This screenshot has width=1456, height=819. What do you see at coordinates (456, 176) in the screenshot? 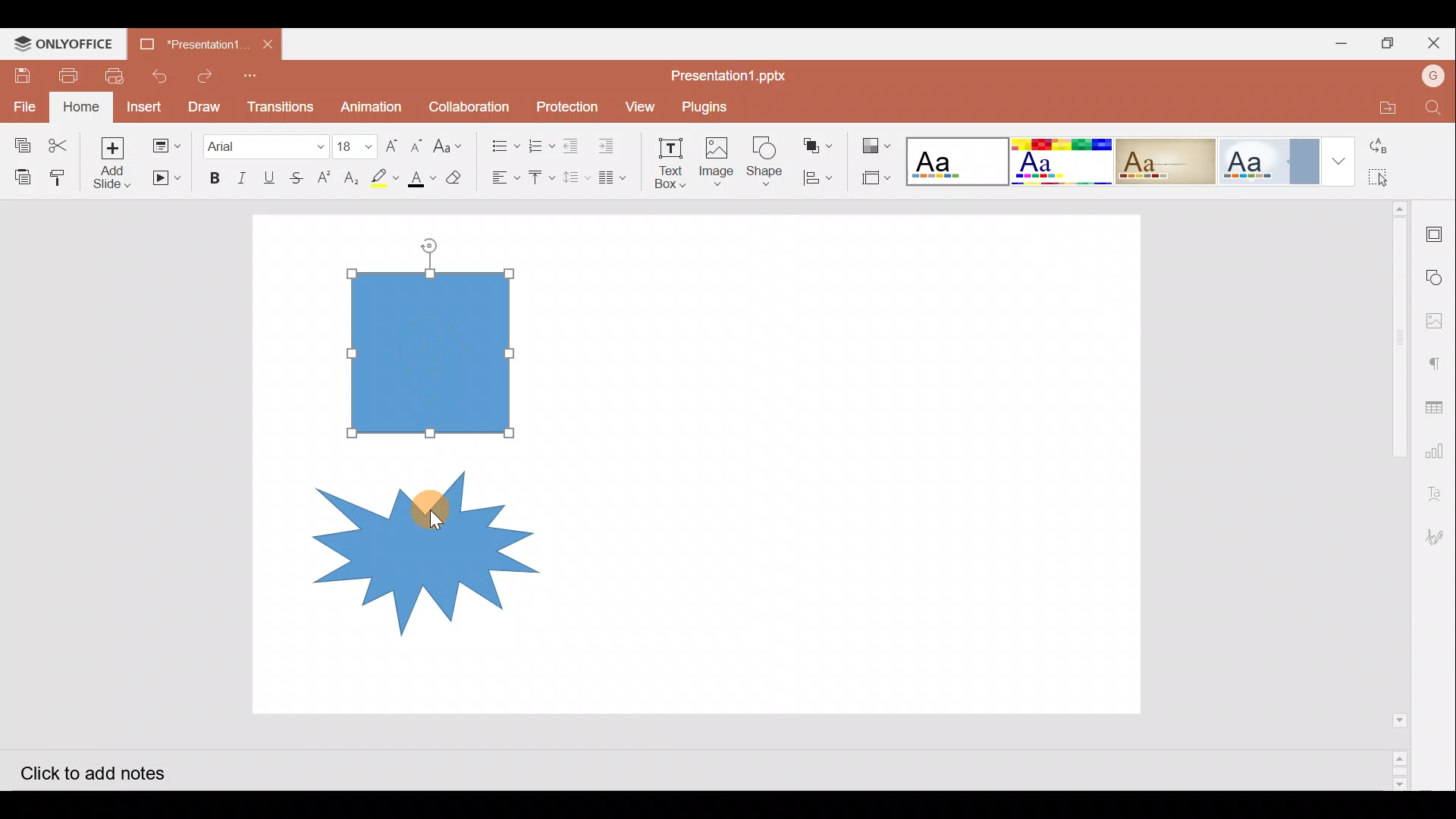
I see `Clear style` at bounding box center [456, 176].